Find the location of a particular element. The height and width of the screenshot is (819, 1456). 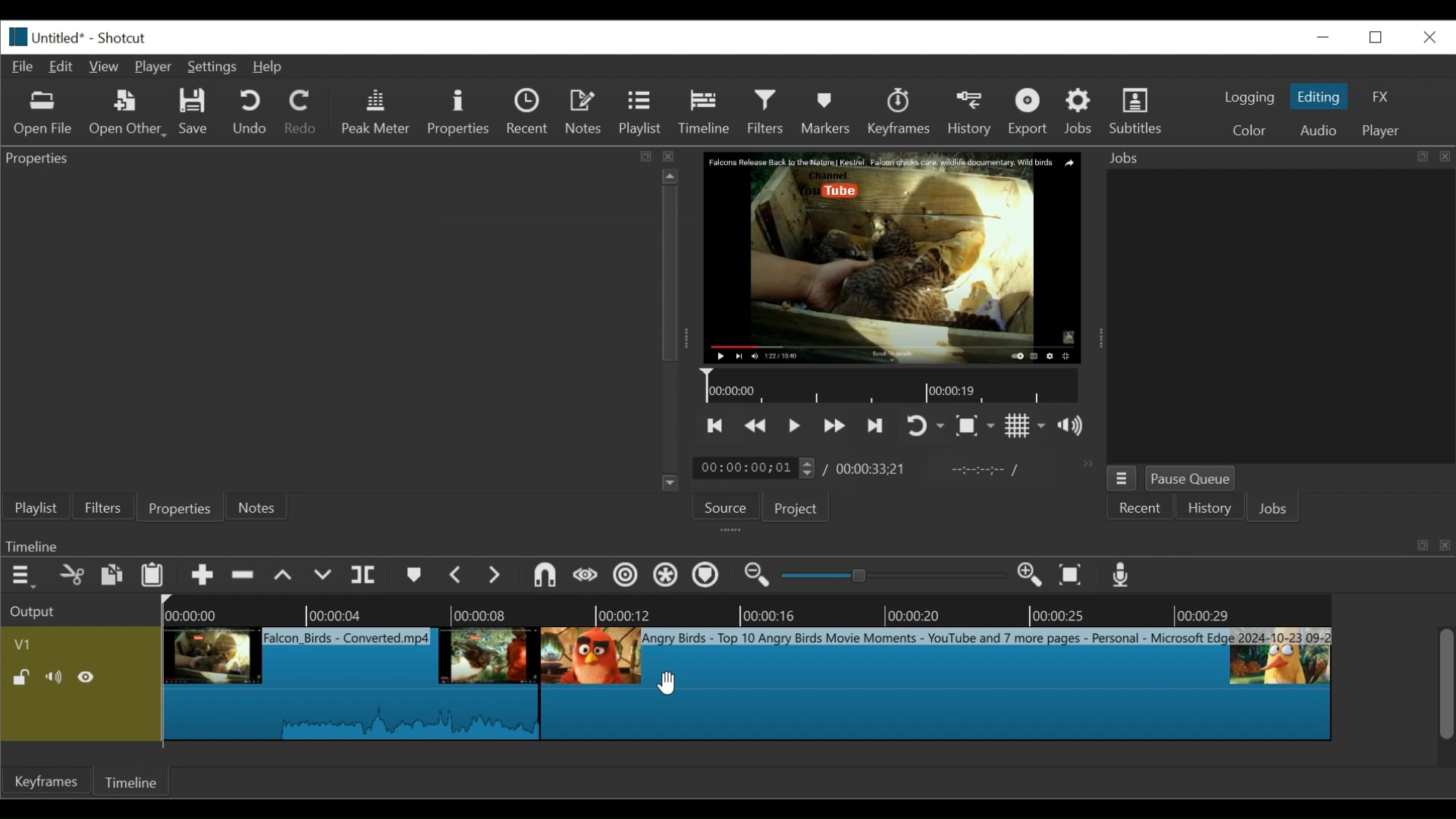

FX is located at coordinates (1378, 96).